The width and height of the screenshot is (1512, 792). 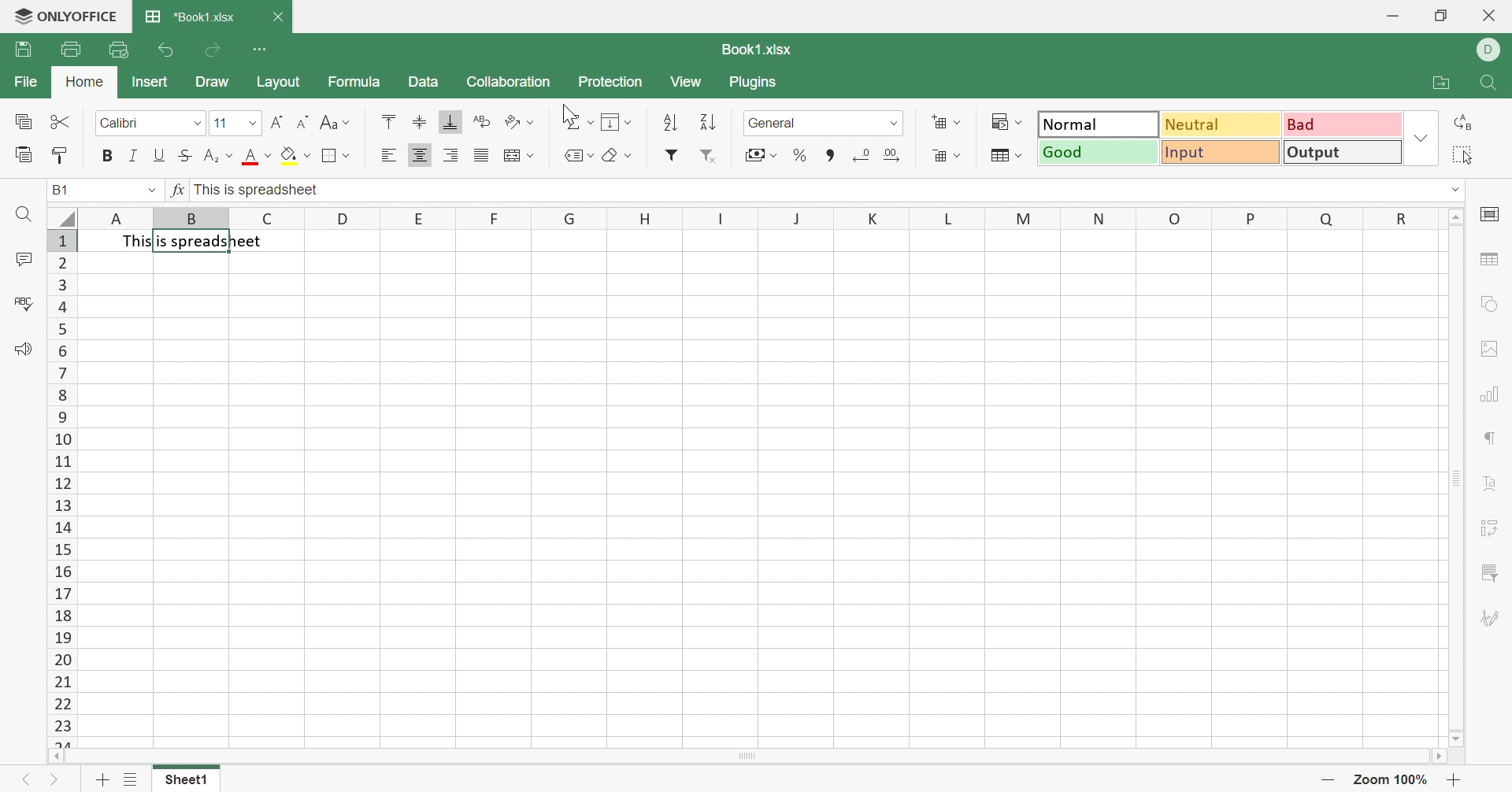 What do you see at coordinates (1462, 125) in the screenshot?
I see `Replace` at bounding box center [1462, 125].